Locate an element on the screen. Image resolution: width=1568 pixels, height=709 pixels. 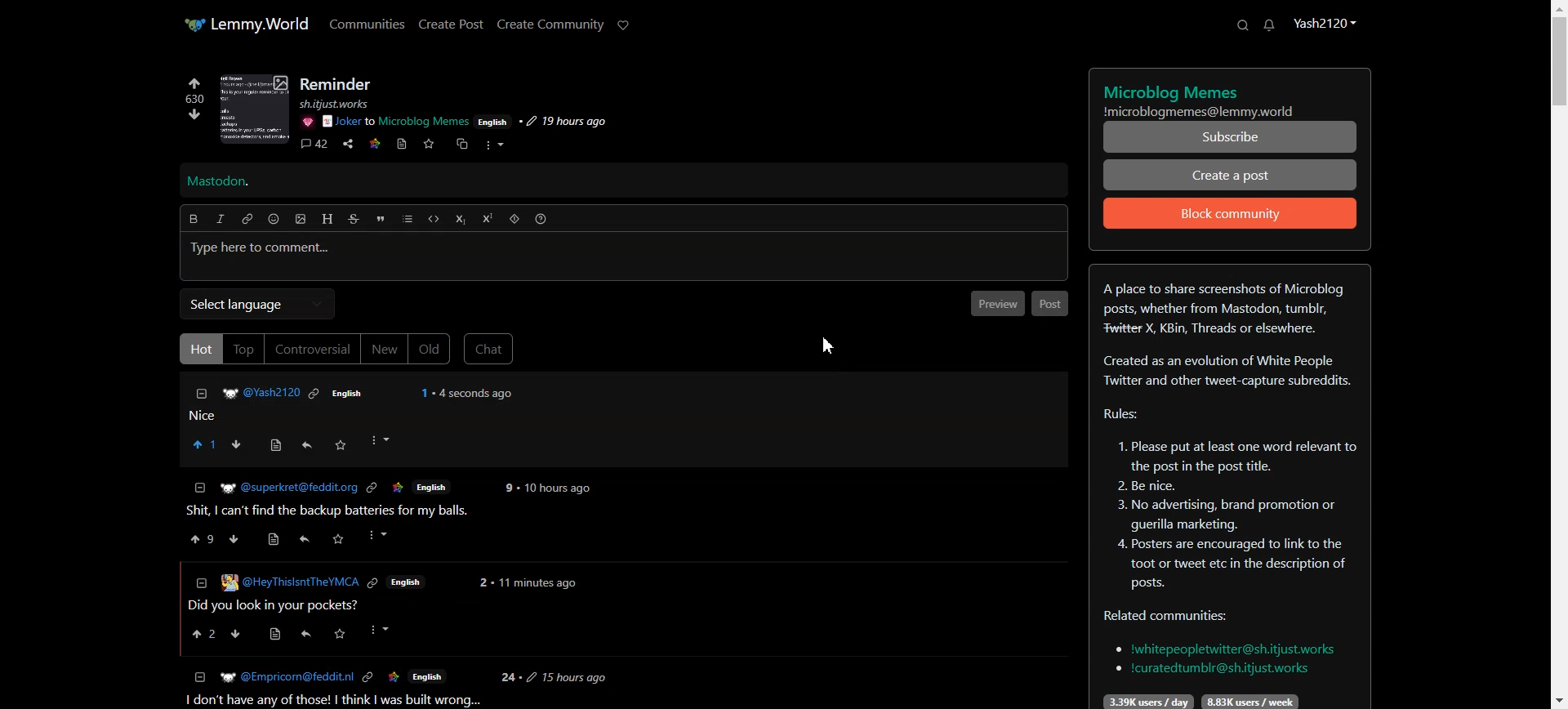
Vertical scroll bar is located at coordinates (1558, 354).